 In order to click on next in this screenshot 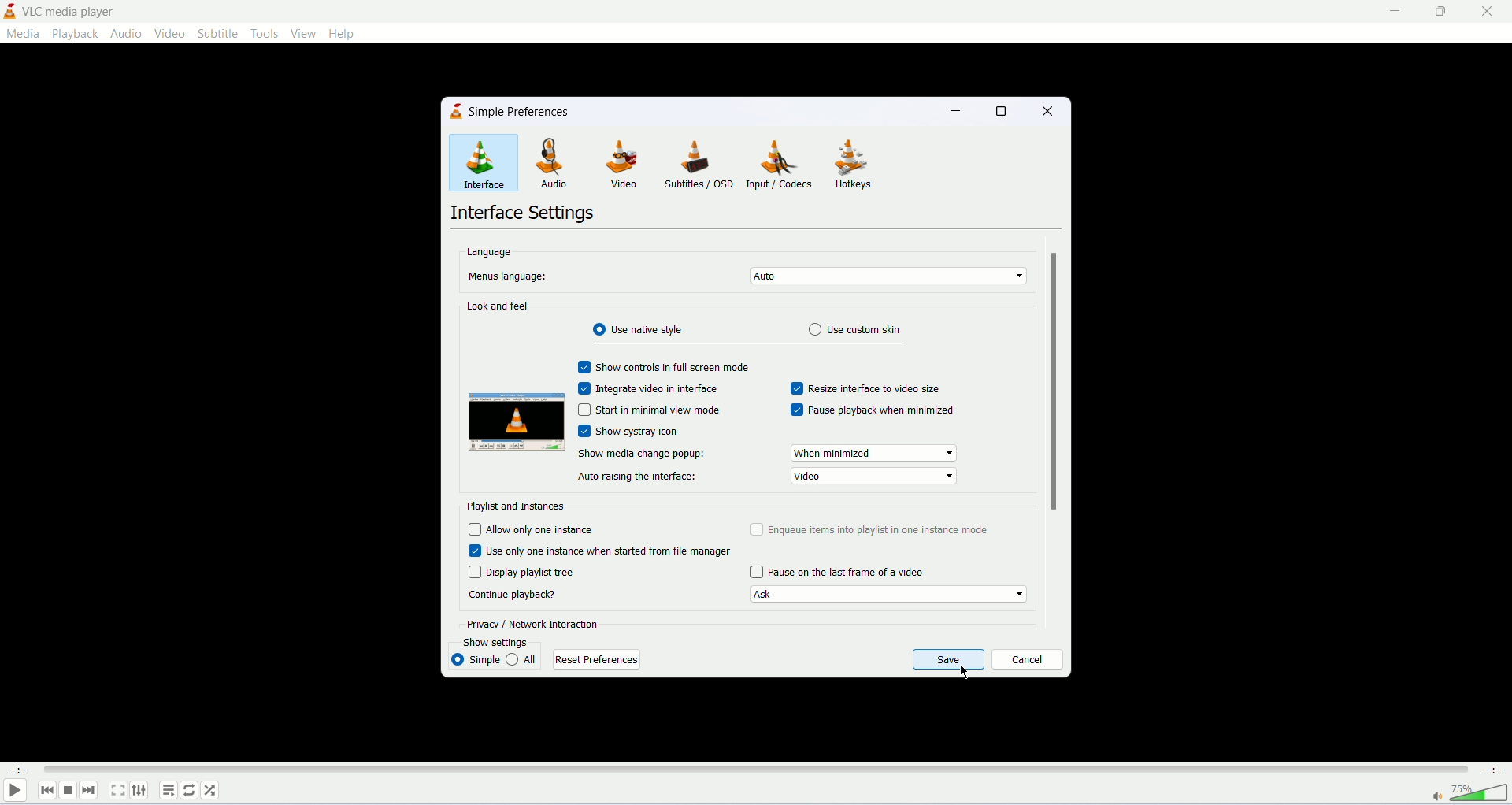, I will do `click(94, 793)`.